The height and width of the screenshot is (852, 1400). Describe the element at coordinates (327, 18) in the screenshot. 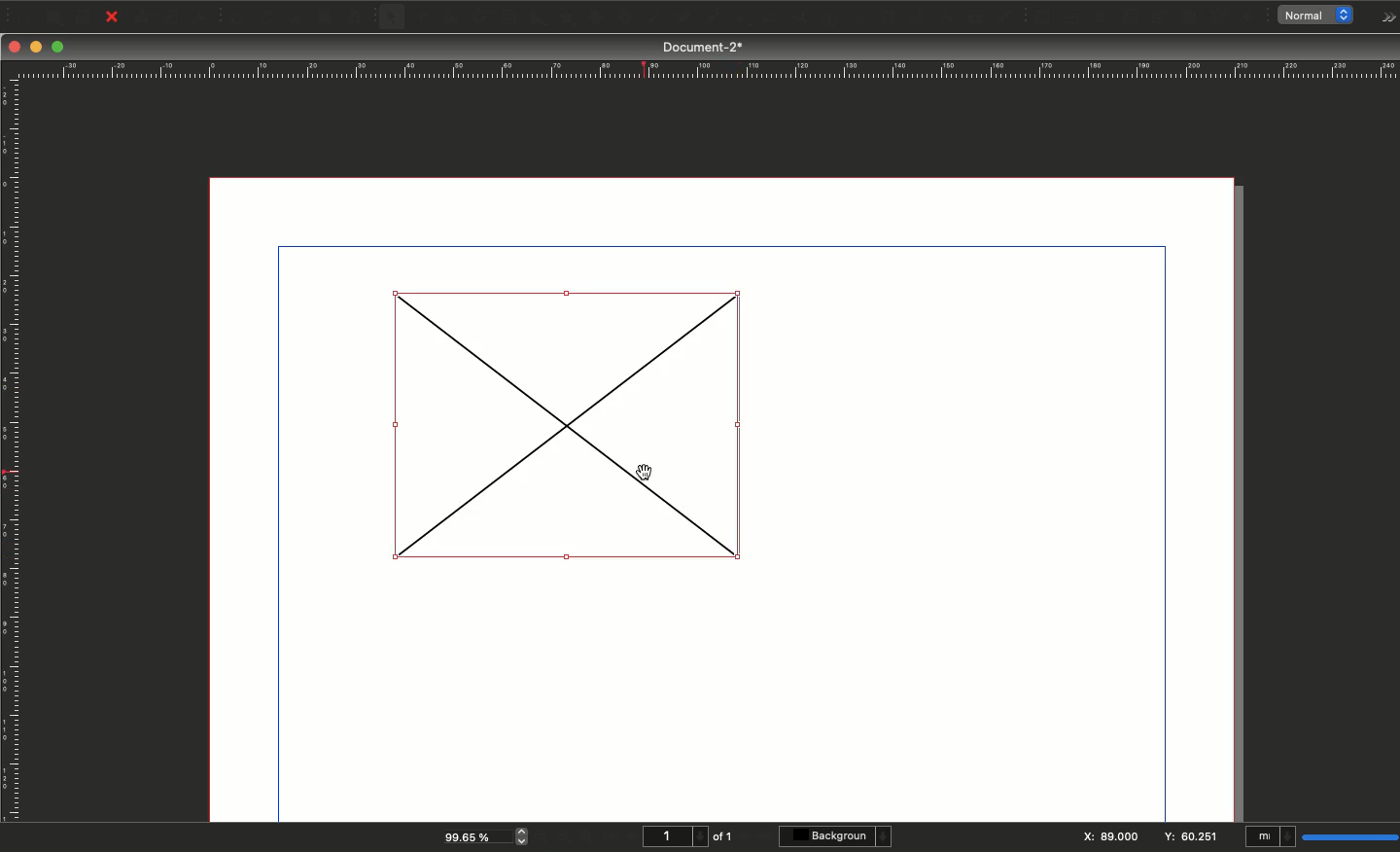

I see `Copy` at that location.